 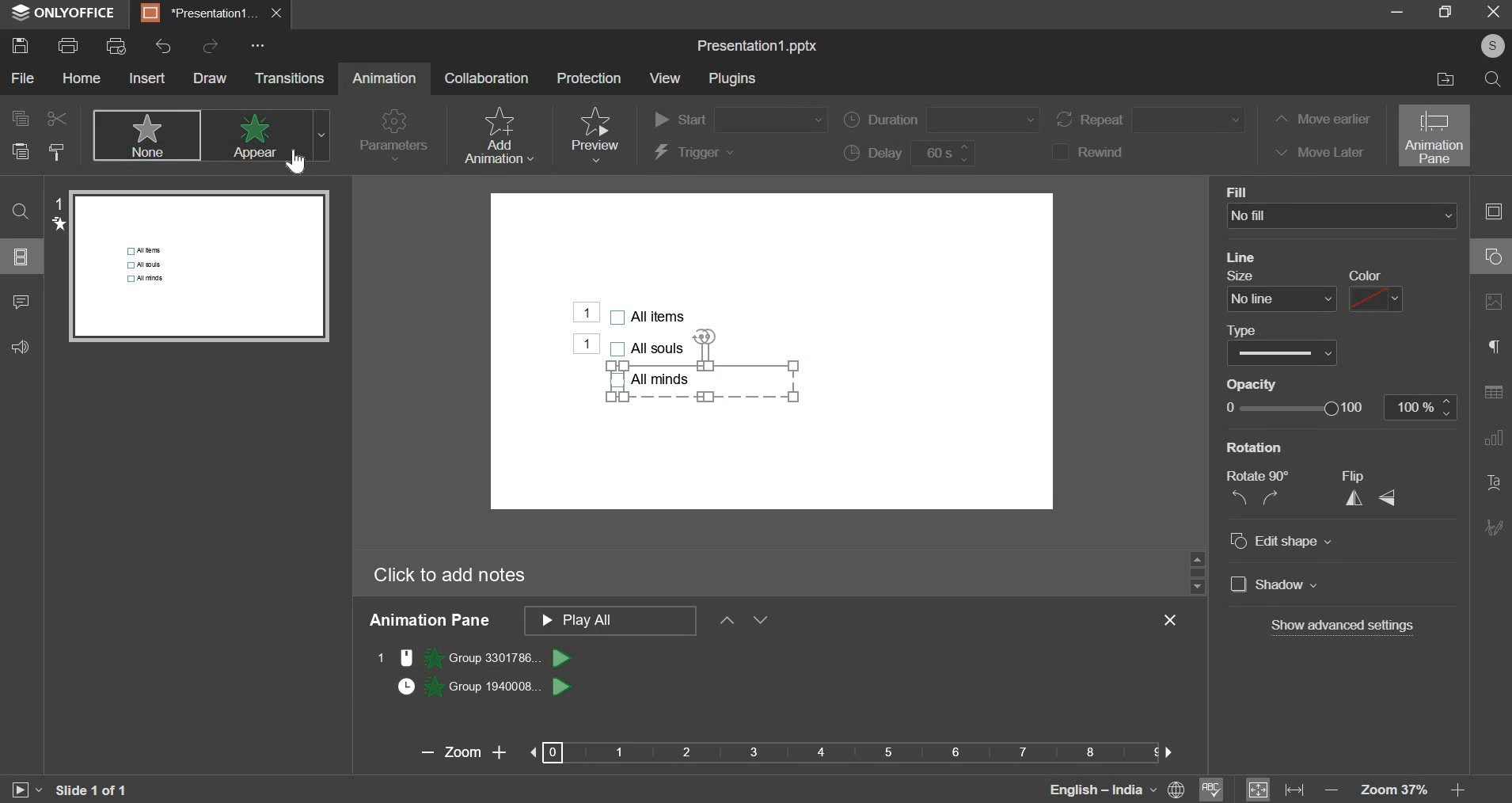 What do you see at coordinates (384, 78) in the screenshot?
I see `animation` at bounding box center [384, 78].